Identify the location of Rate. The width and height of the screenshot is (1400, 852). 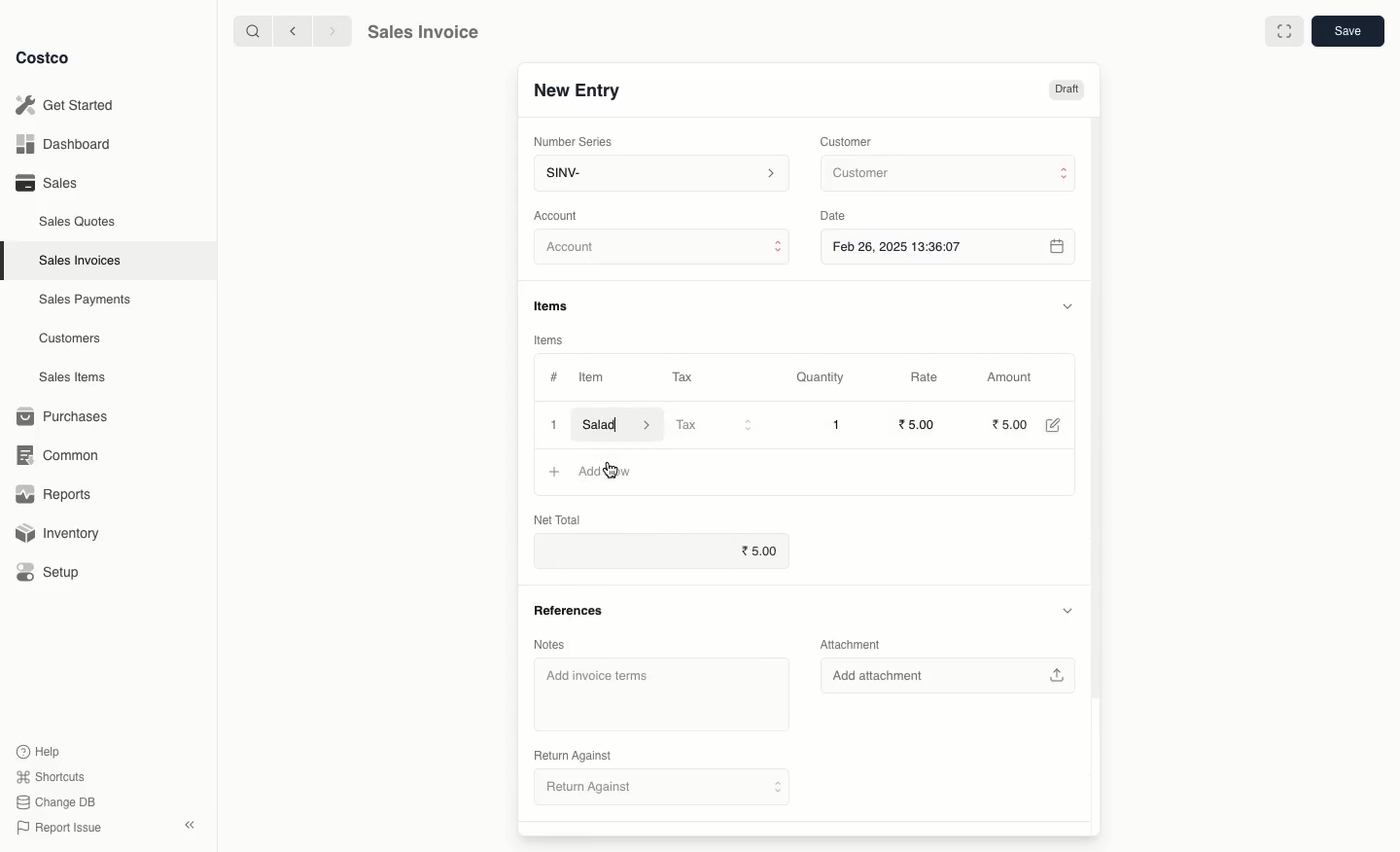
(927, 377).